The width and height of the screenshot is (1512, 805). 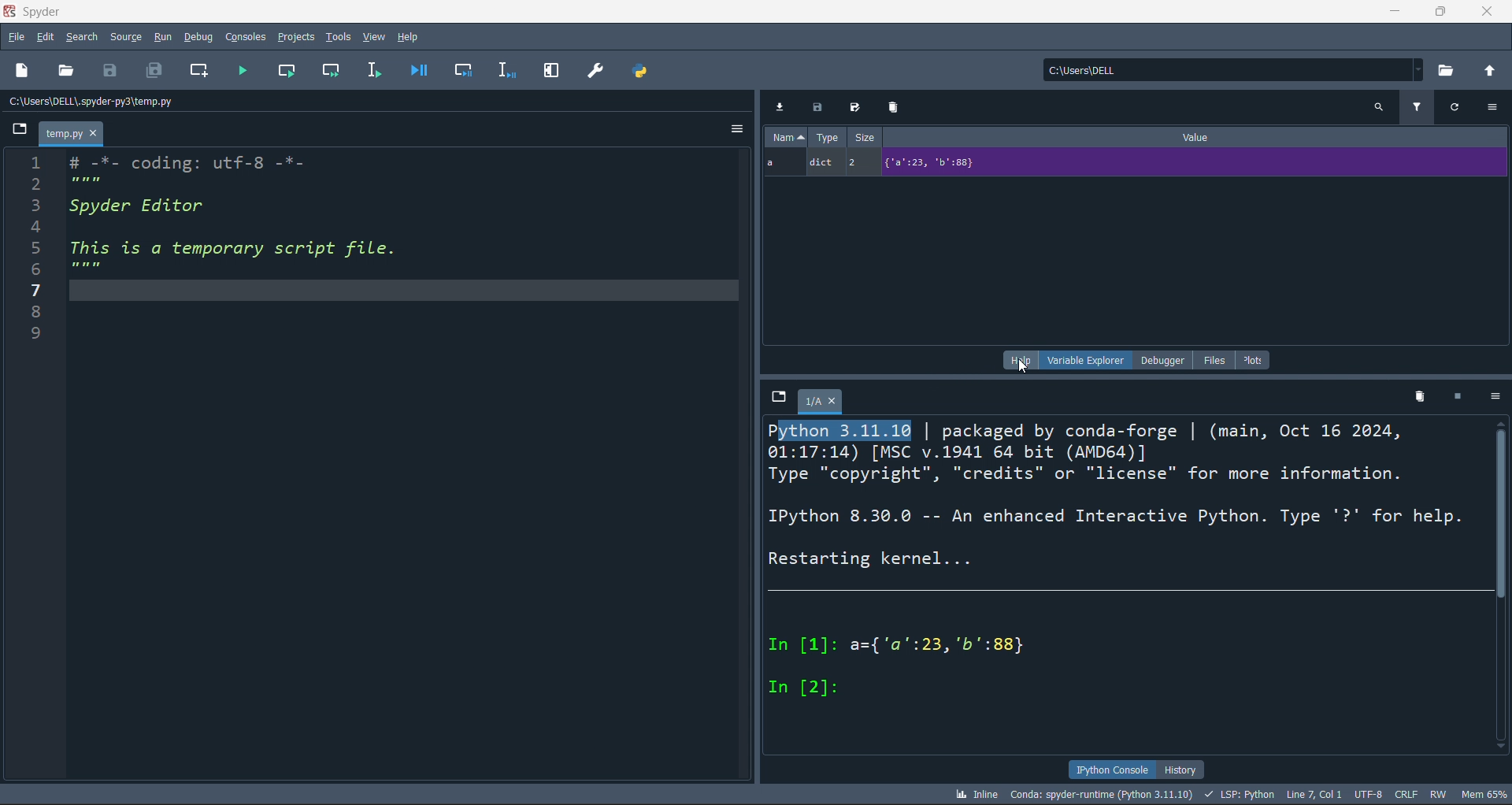 What do you see at coordinates (411, 38) in the screenshot?
I see `help` at bounding box center [411, 38].